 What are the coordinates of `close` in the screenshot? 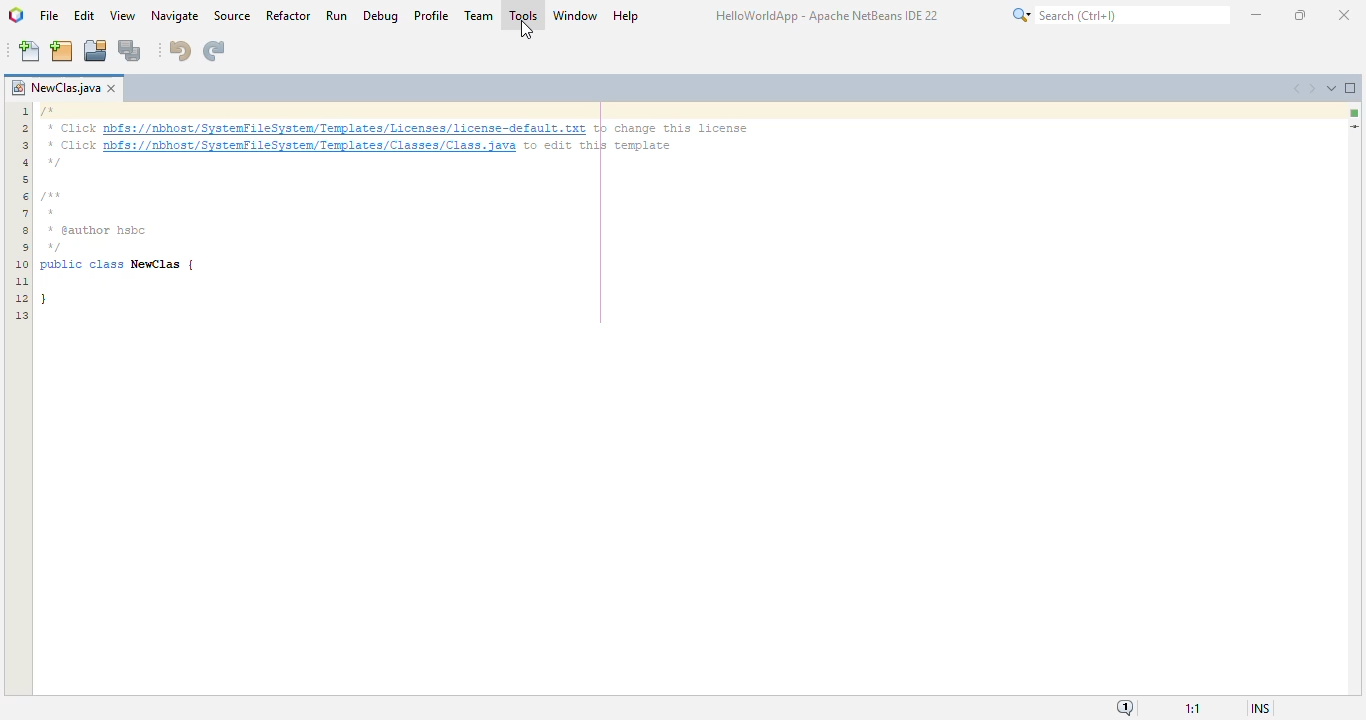 It's located at (1344, 14).